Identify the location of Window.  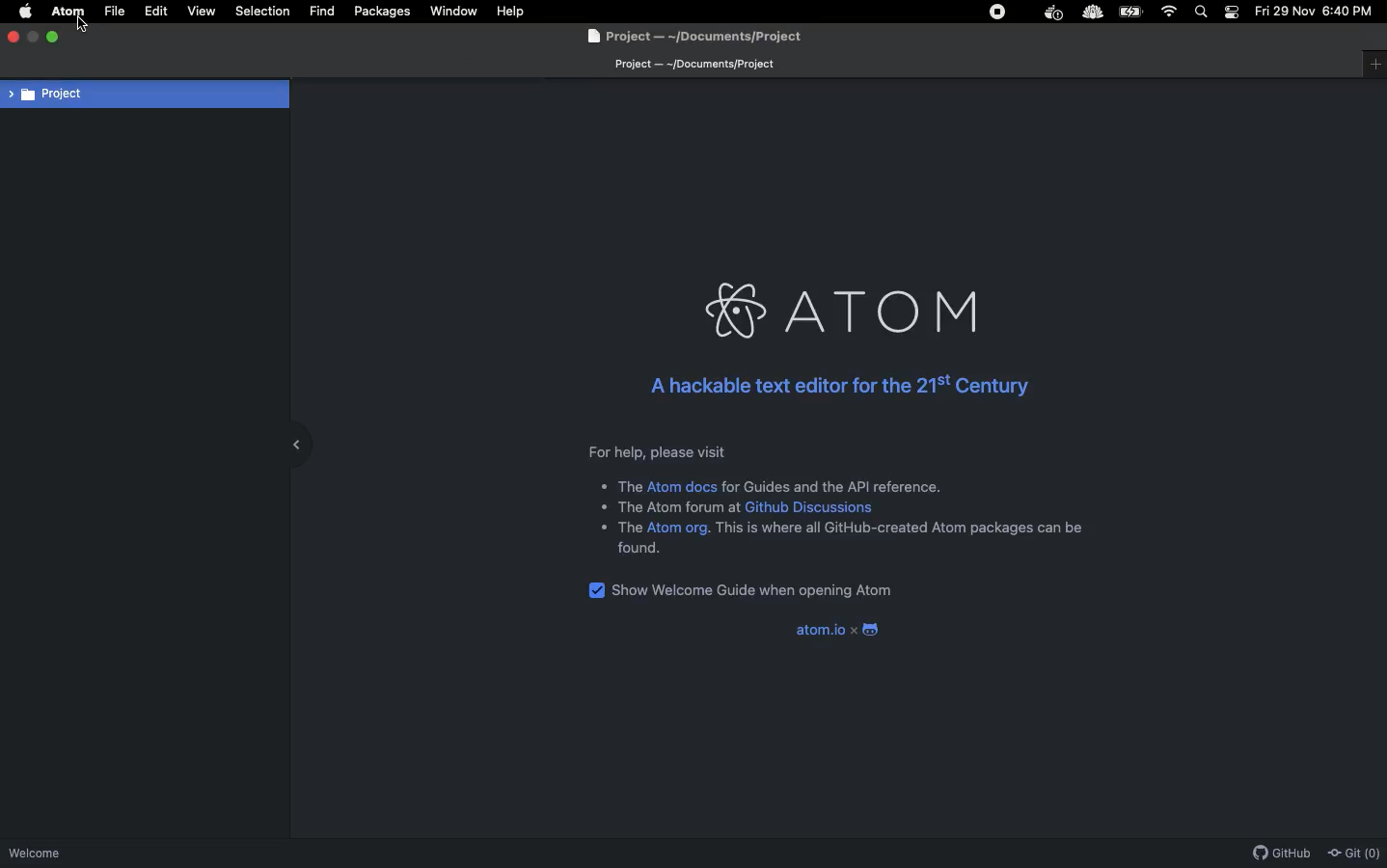
(1374, 65).